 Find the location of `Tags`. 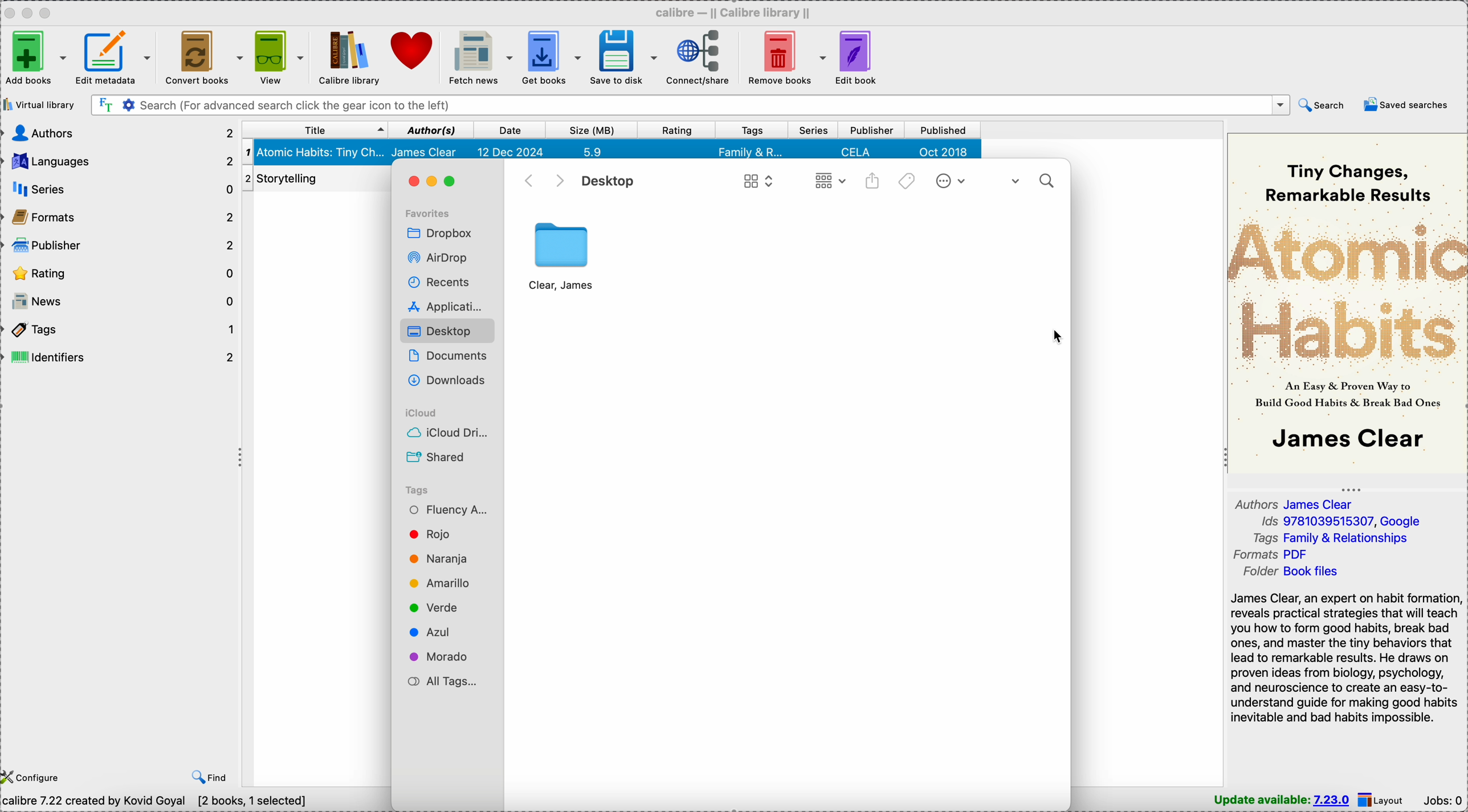

Tags is located at coordinates (418, 489).